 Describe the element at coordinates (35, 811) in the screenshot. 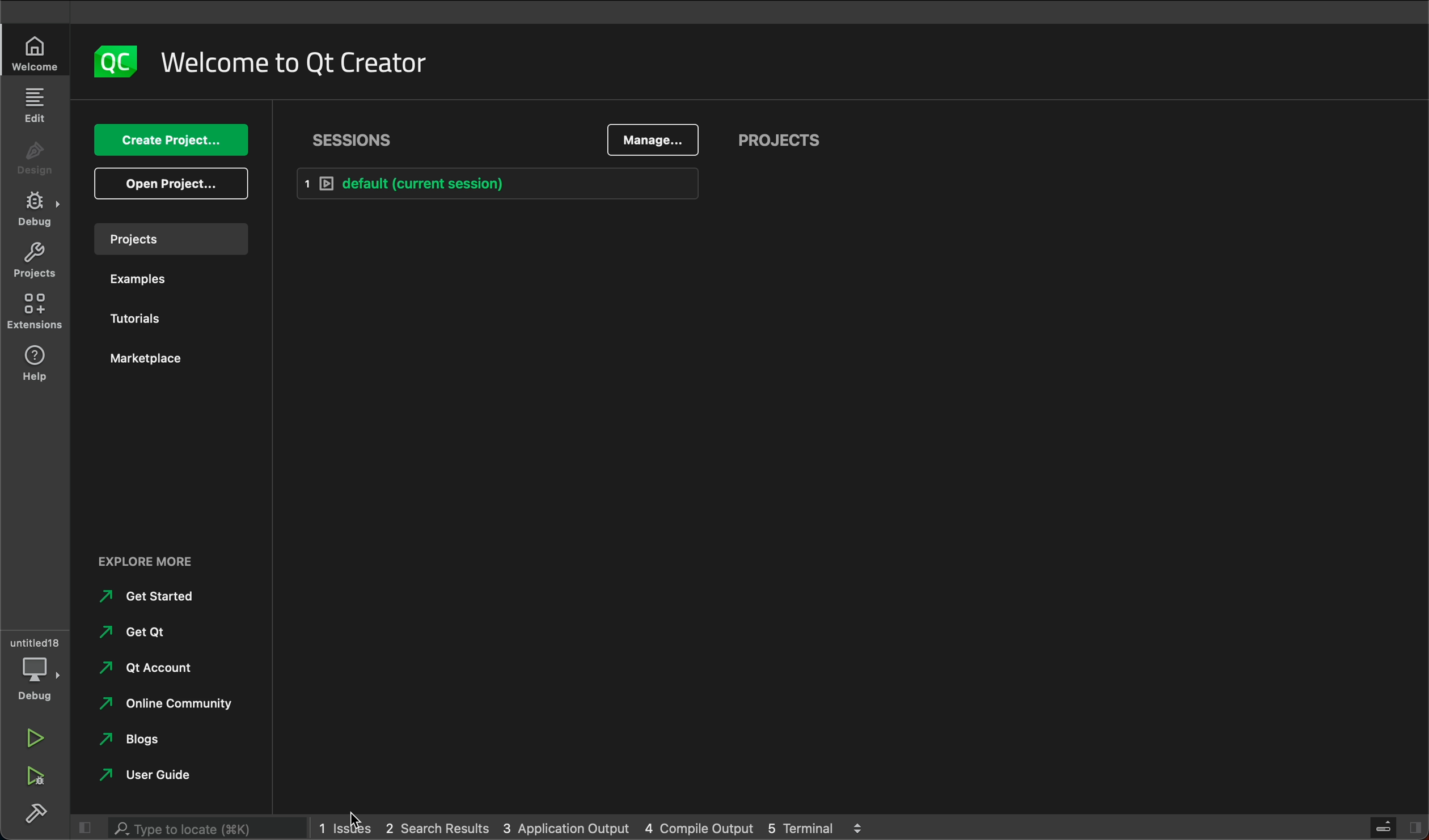

I see `build` at that location.